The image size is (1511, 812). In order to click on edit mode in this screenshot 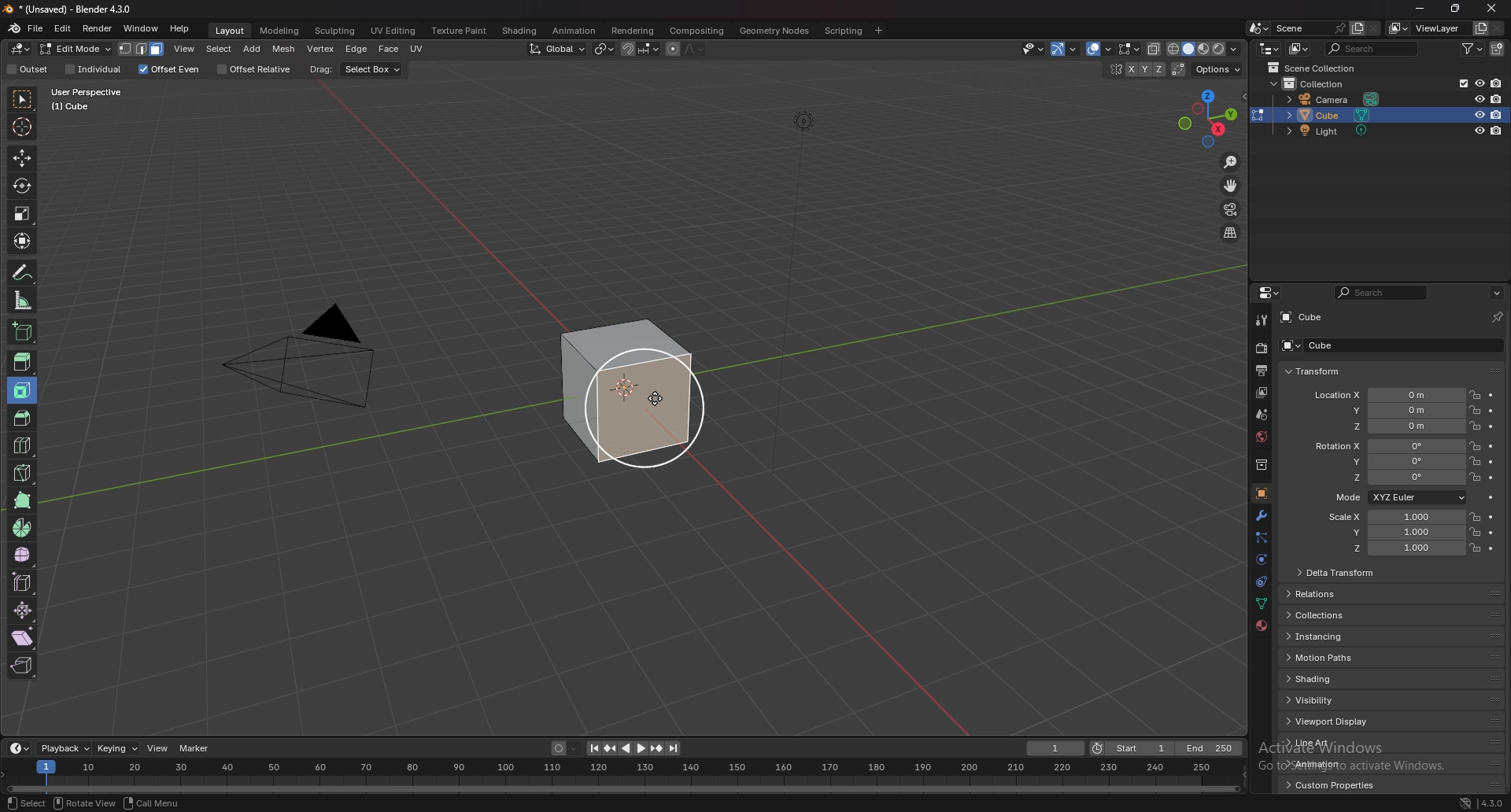, I will do `click(76, 49)`.